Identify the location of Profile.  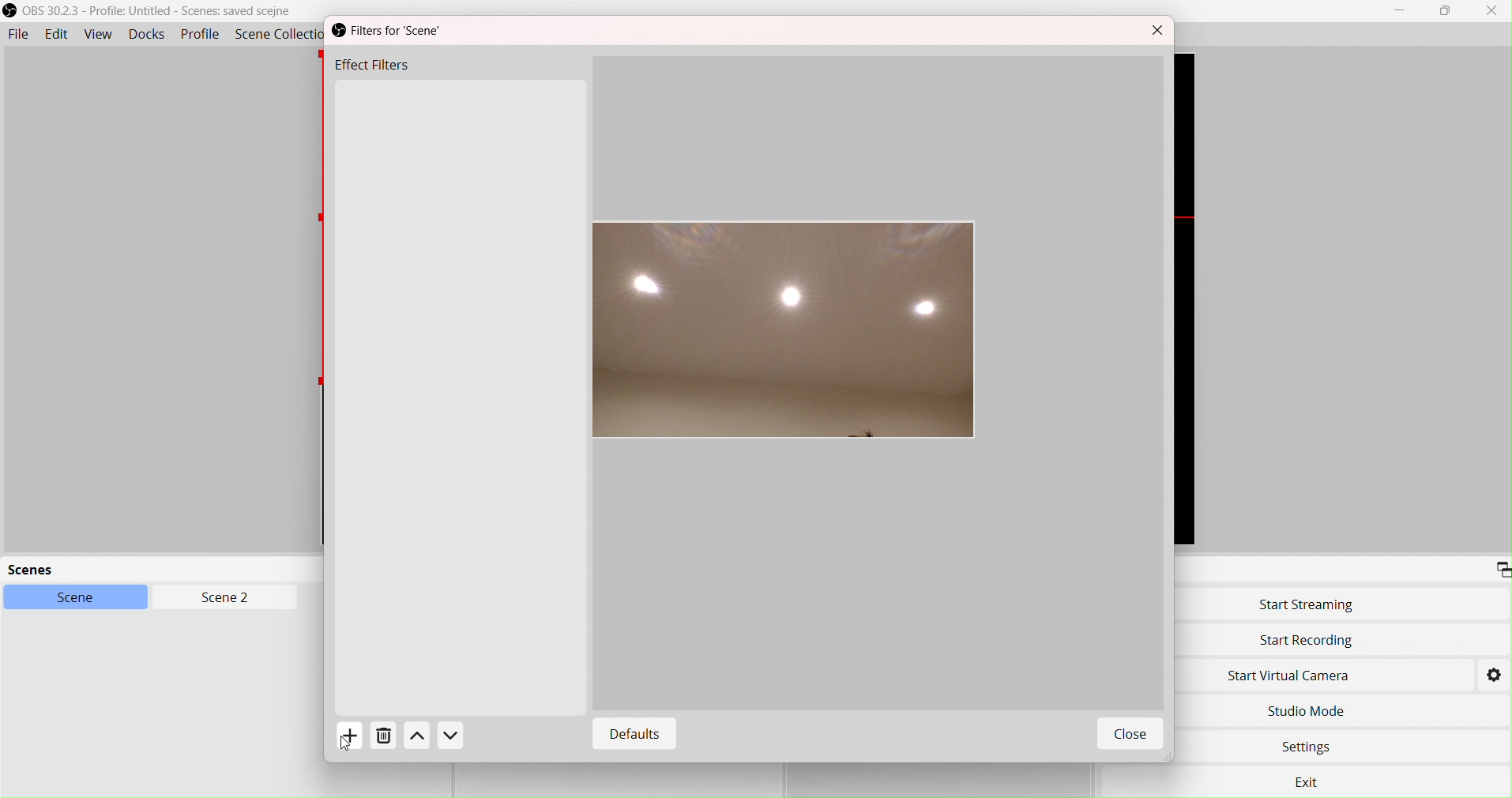
(201, 36).